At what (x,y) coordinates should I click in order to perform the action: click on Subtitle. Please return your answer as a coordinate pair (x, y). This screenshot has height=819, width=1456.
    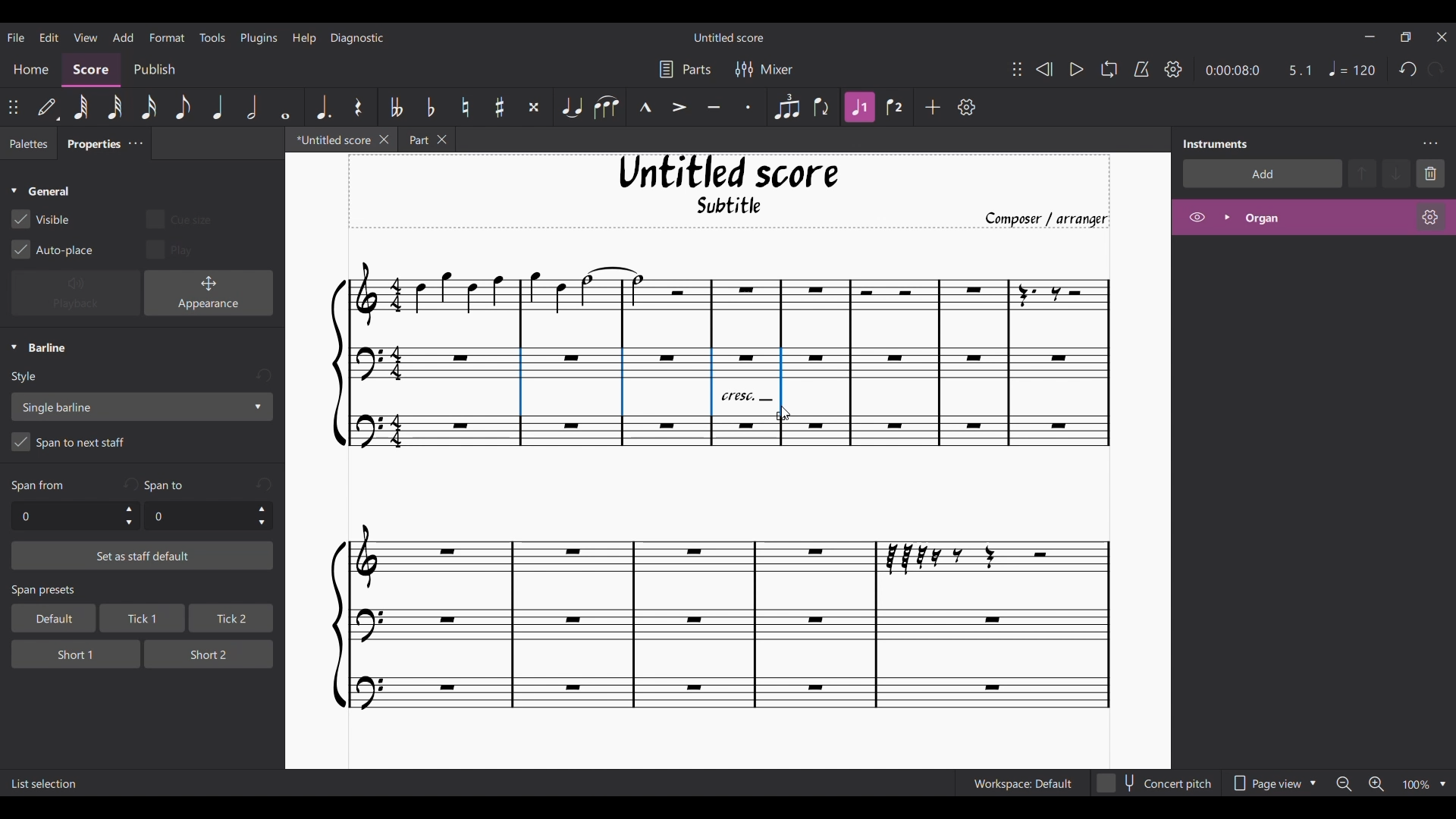
    Looking at the image, I should click on (731, 209).